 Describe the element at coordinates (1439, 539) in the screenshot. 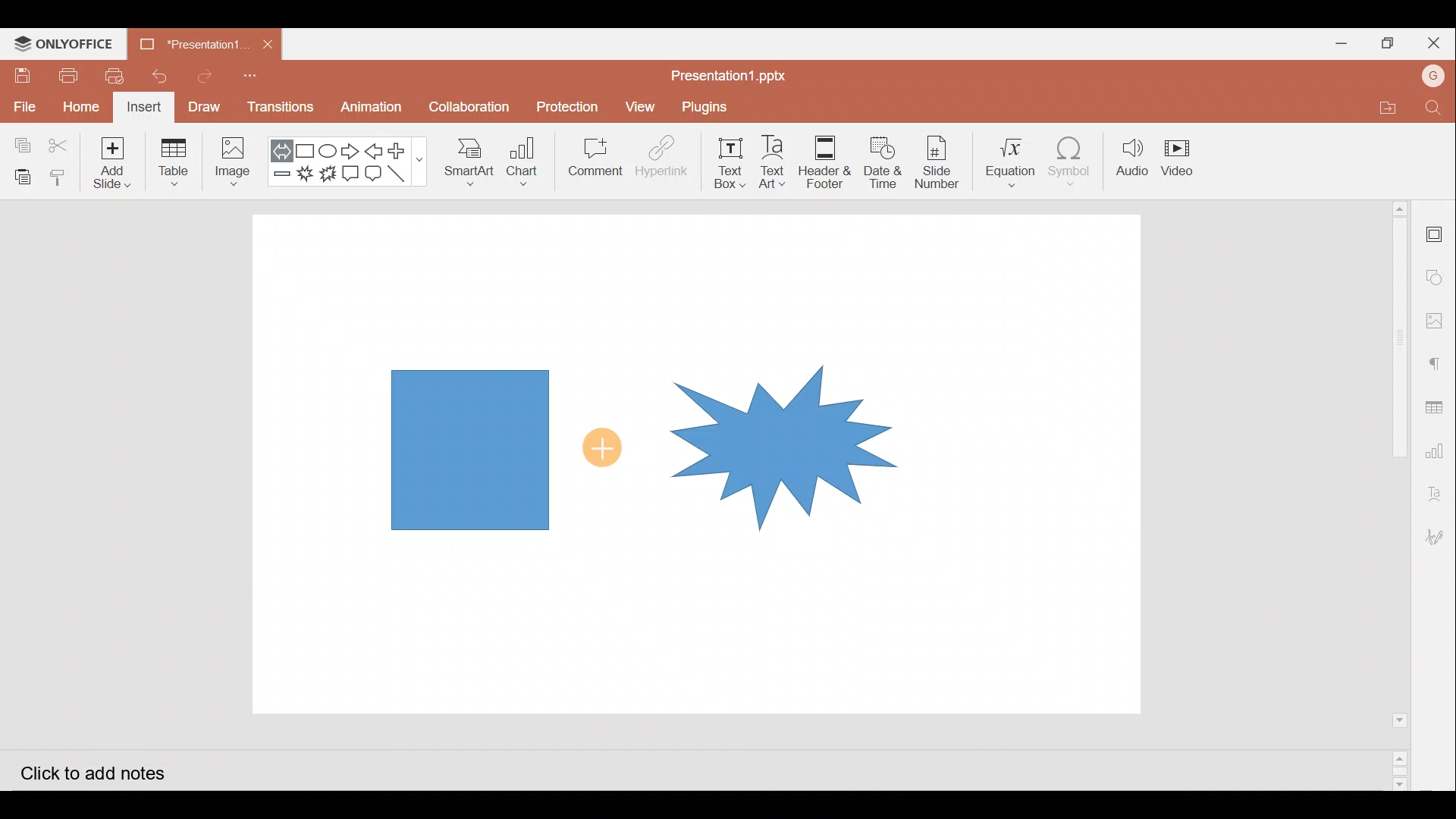

I see `Signature settings` at that location.